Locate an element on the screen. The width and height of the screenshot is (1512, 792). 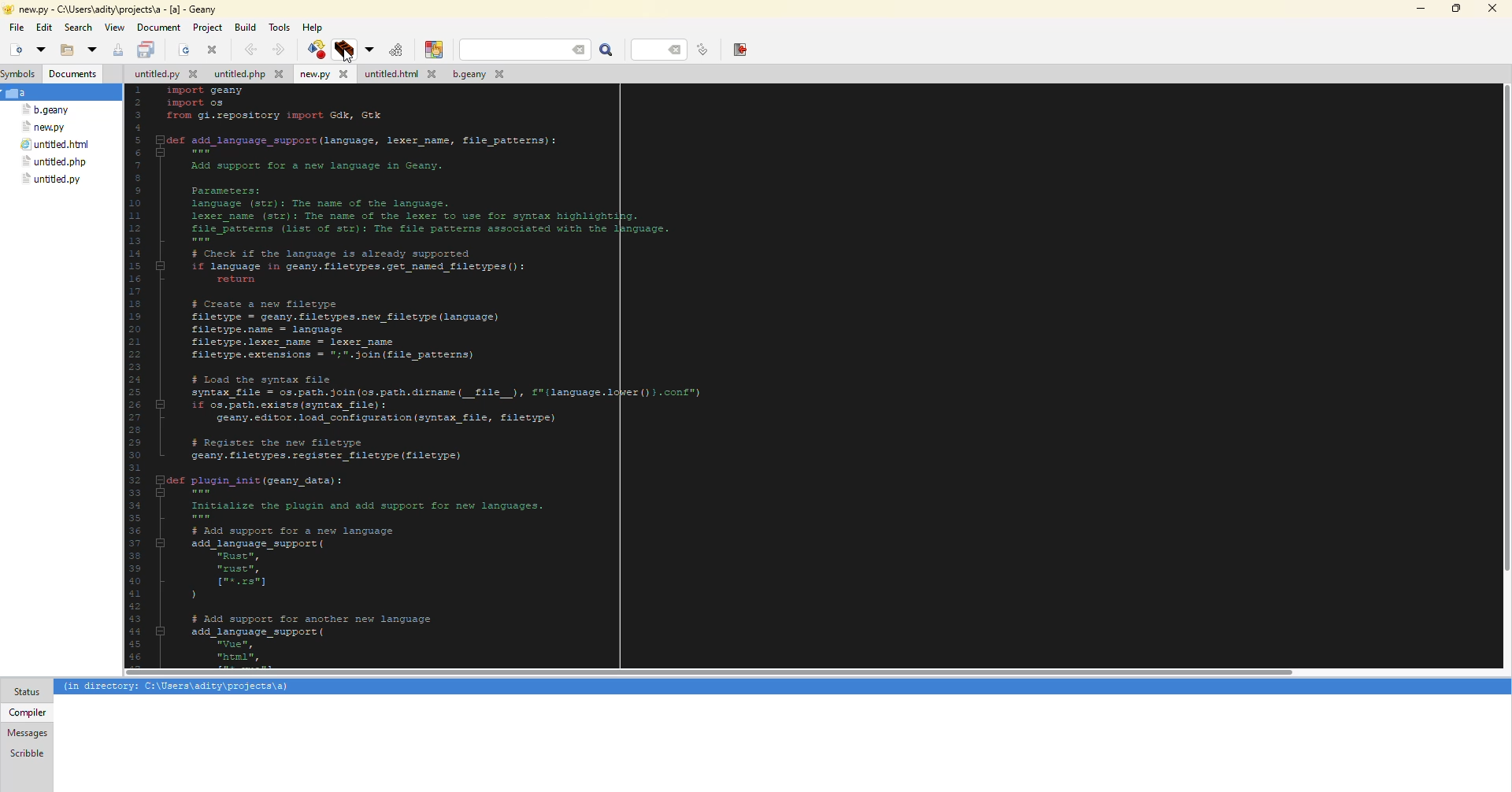
document is located at coordinates (160, 28).